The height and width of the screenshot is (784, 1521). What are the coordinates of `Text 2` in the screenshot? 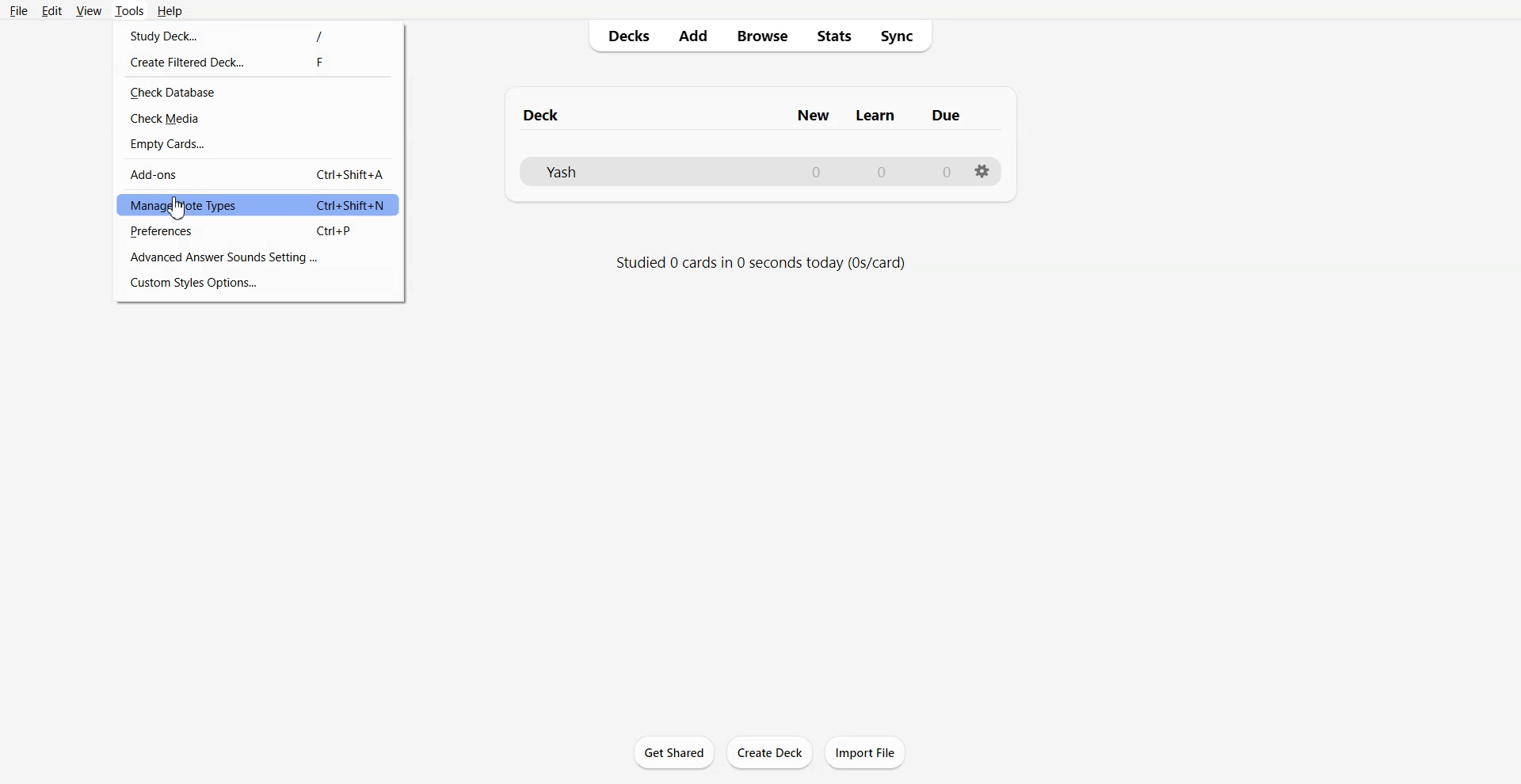 It's located at (760, 263).